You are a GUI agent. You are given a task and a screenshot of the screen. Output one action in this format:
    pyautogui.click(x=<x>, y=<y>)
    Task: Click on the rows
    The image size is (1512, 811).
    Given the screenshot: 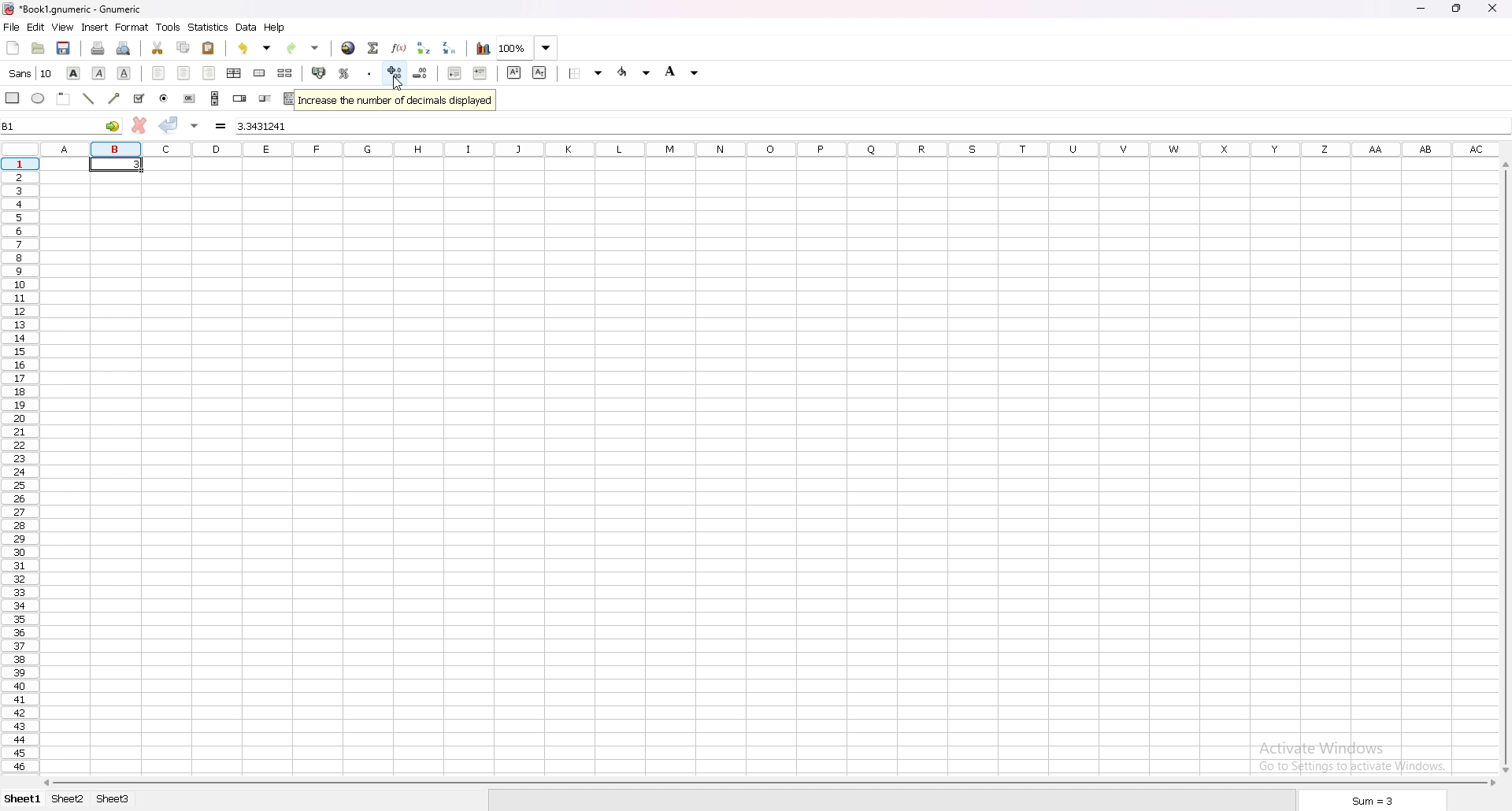 What is the action you would take?
    pyautogui.click(x=19, y=465)
    